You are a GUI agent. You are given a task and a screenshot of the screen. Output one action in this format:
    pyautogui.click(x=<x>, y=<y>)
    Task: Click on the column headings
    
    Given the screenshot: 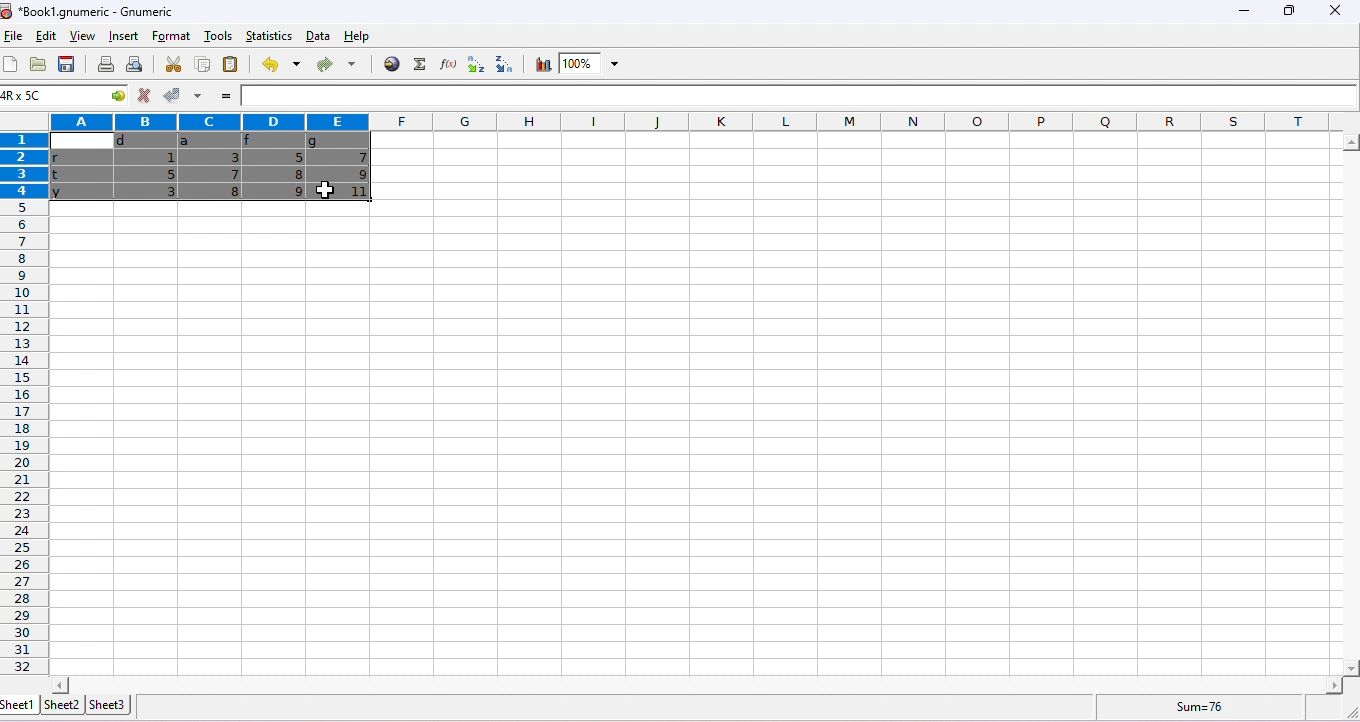 What is the action you would take?
    pyautogui.click(x=694, y=121)
    